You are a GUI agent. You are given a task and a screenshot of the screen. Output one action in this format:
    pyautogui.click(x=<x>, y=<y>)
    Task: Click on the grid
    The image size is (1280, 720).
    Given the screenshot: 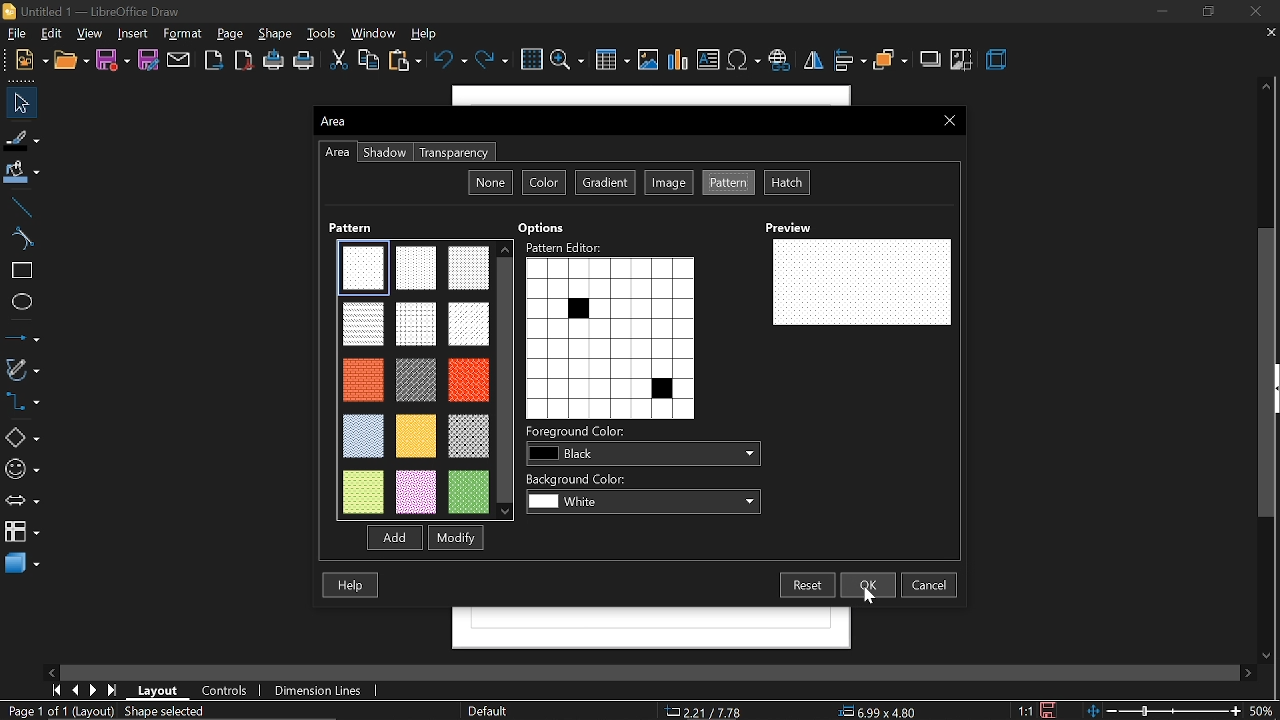 What is the action you would take?
    pyautogui.click(x=533, y=59)
    